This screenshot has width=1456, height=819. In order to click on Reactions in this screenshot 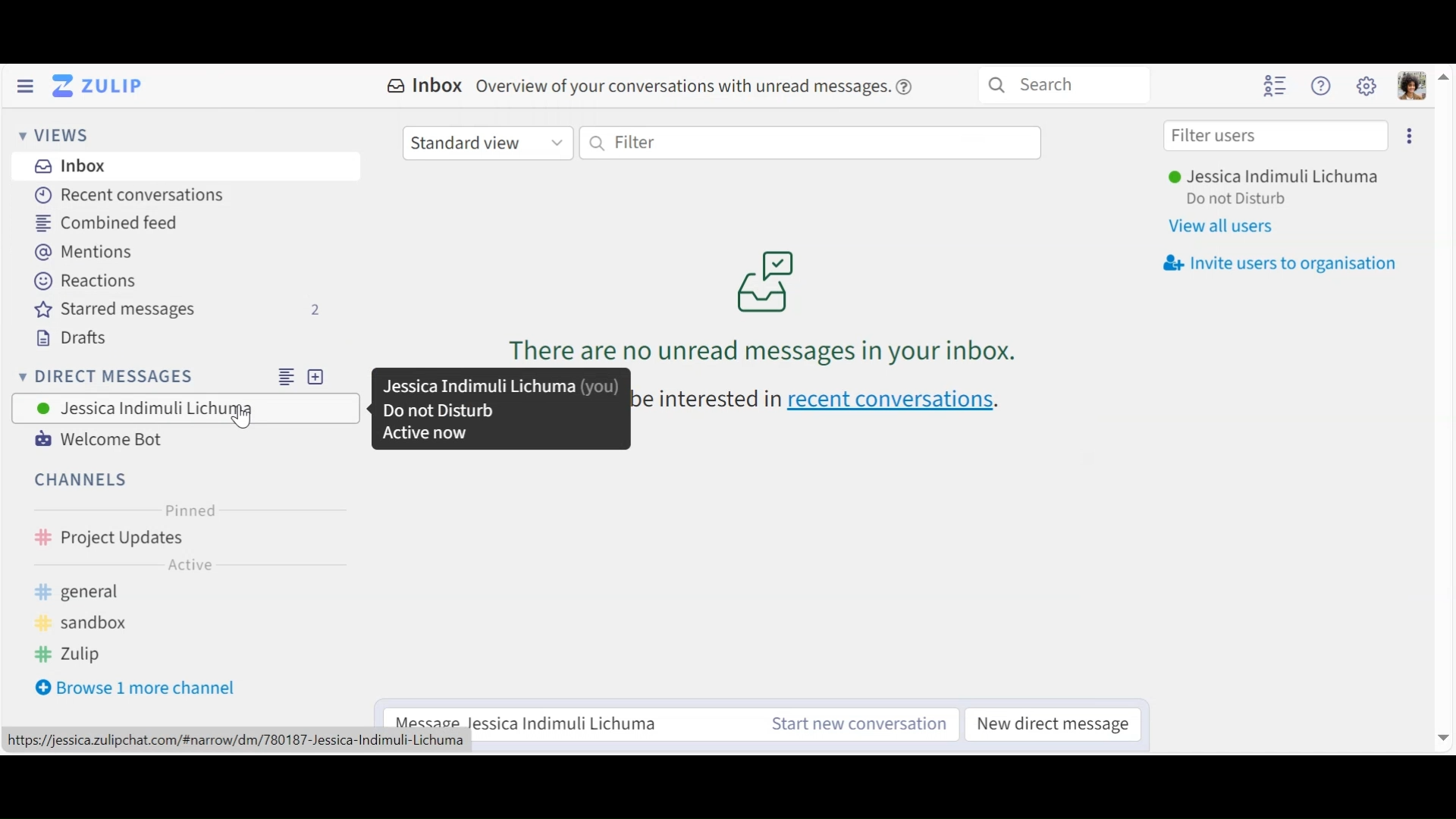, I will do `click(80, 282)`.